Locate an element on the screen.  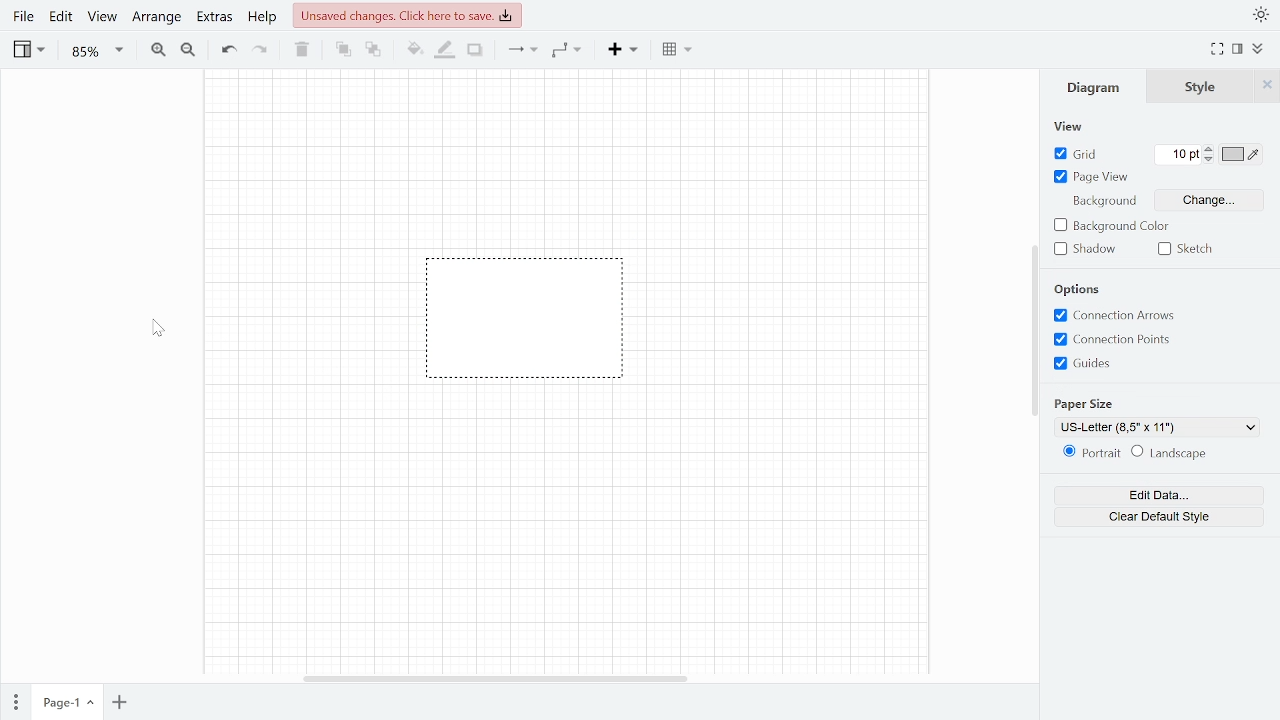
Zoom in is located at coordinates (158, 50).